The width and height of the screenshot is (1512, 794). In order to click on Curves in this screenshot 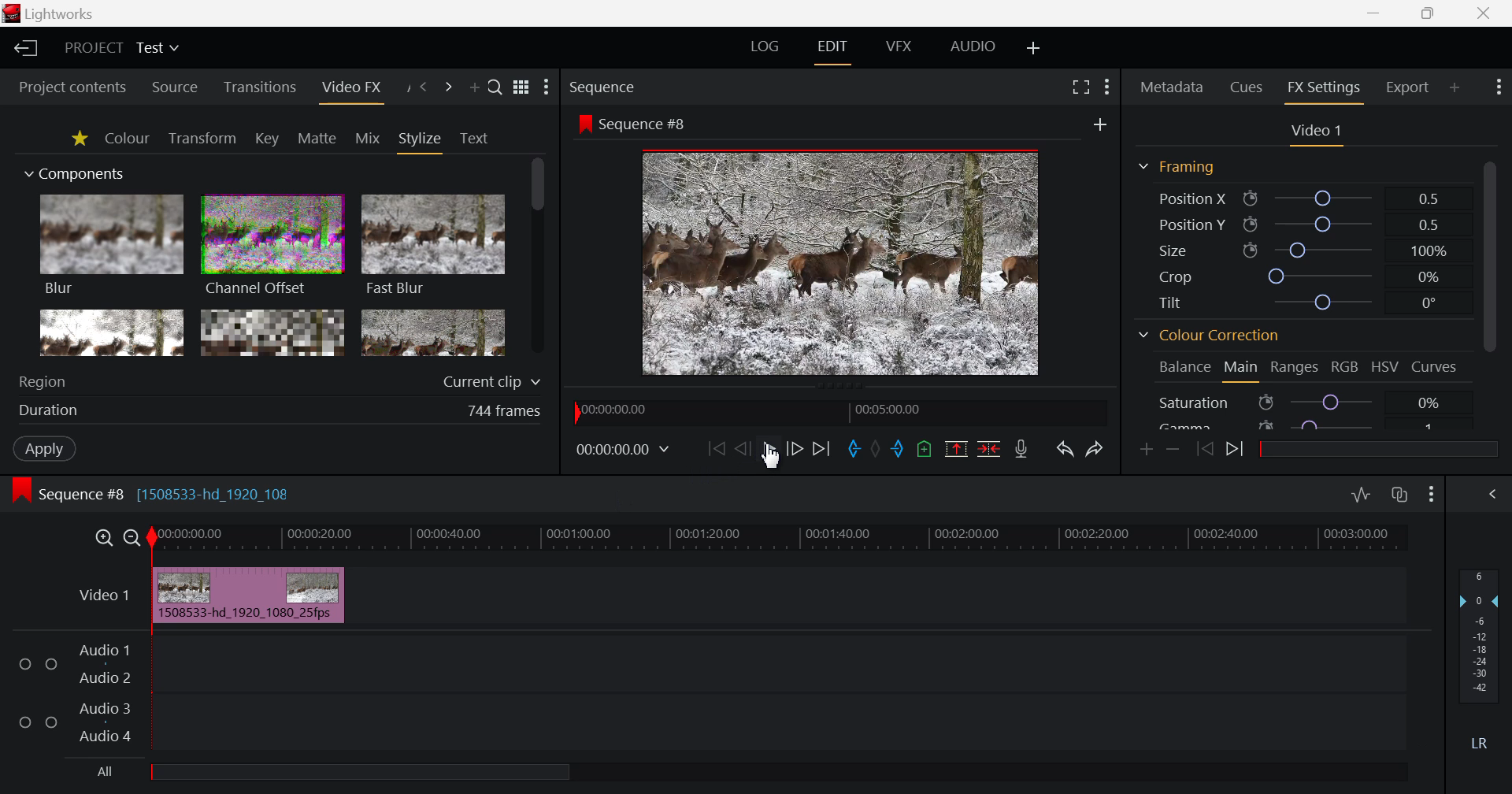, I will do `click(1436, 366)`.